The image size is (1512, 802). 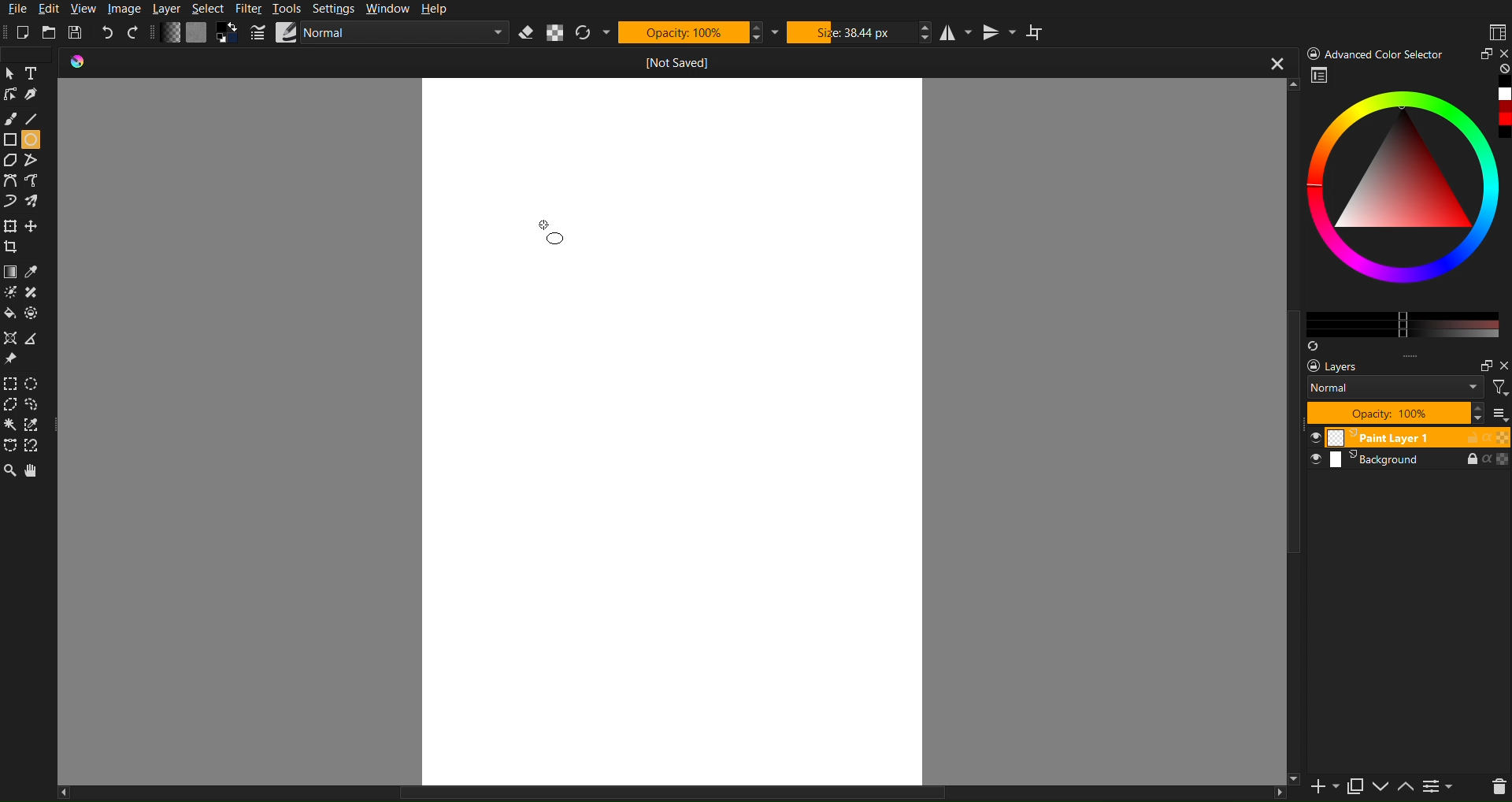 What do you see at coordinates (31, 381) in the screenshot?
I see `Selction Circle` at bounding box center [31, 381].